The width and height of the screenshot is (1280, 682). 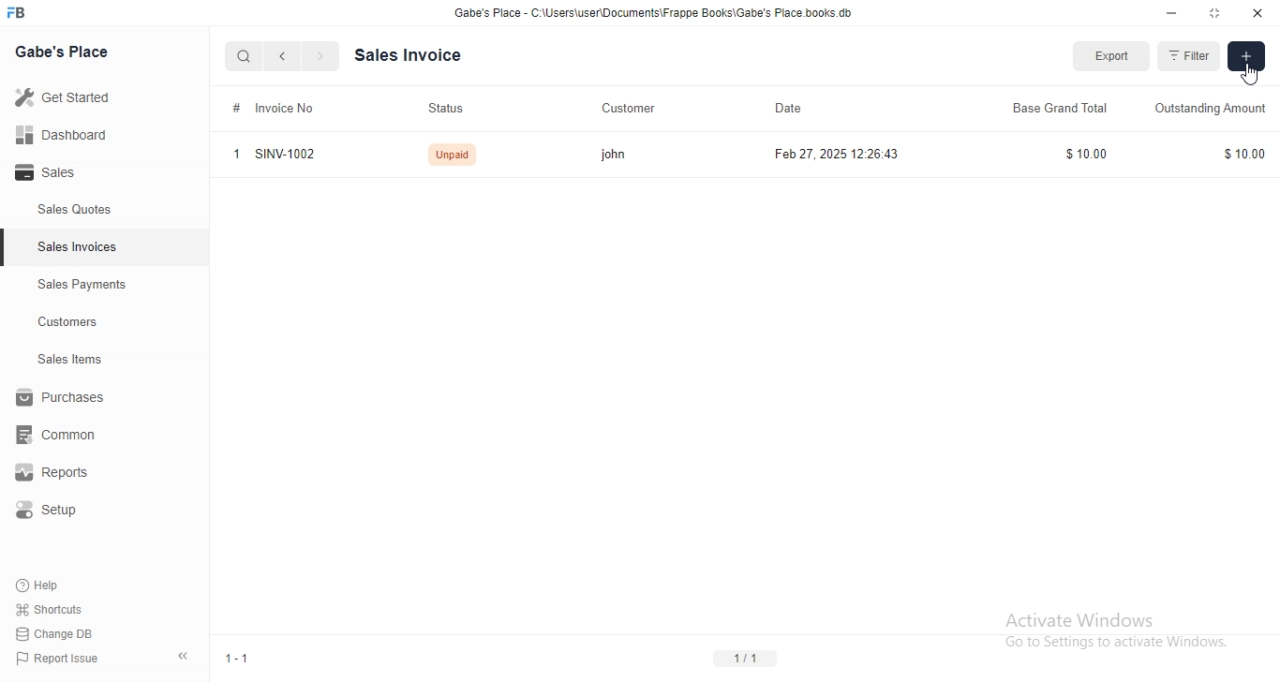 I want to click on Gabe's Place - C \Wsers\usenDocuments\Frappe Books\Gabe's Place books db, so click(x=658, y=16).